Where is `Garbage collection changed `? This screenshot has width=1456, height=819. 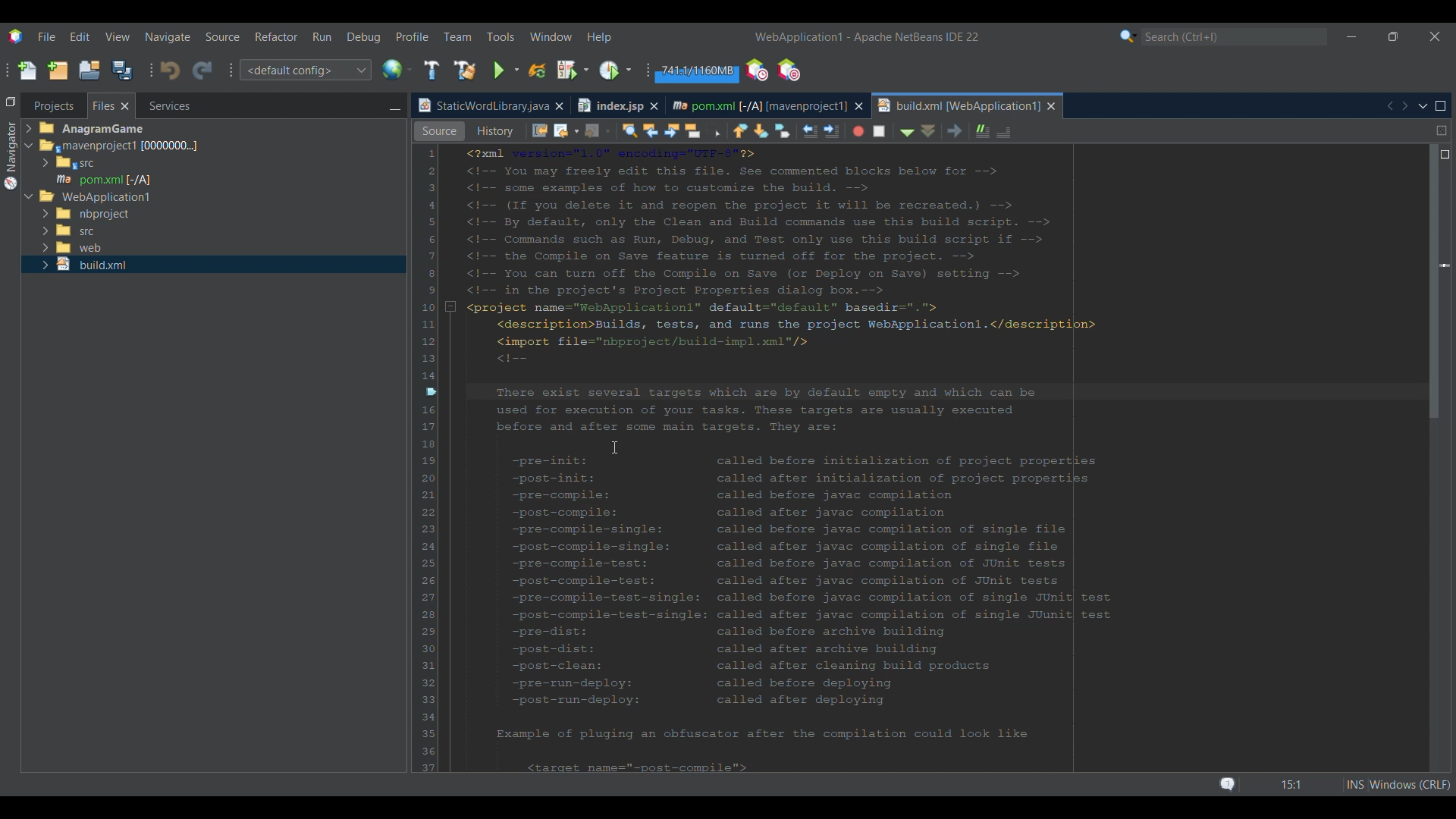
Garbage collection changed  is located at coordinates (697, 72).